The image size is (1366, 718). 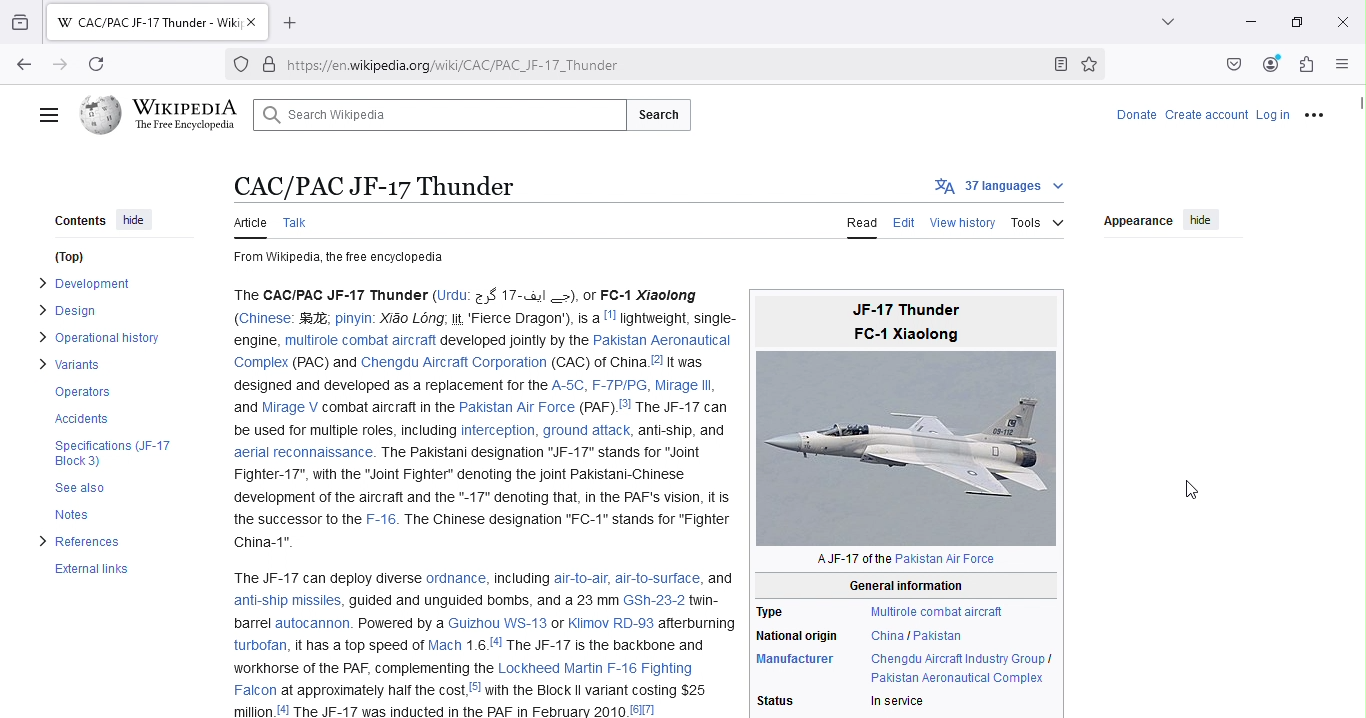 What do you see at coordinates (72, 515) in the screenshot?
I see `Notes` at bounding box center [72, 515].